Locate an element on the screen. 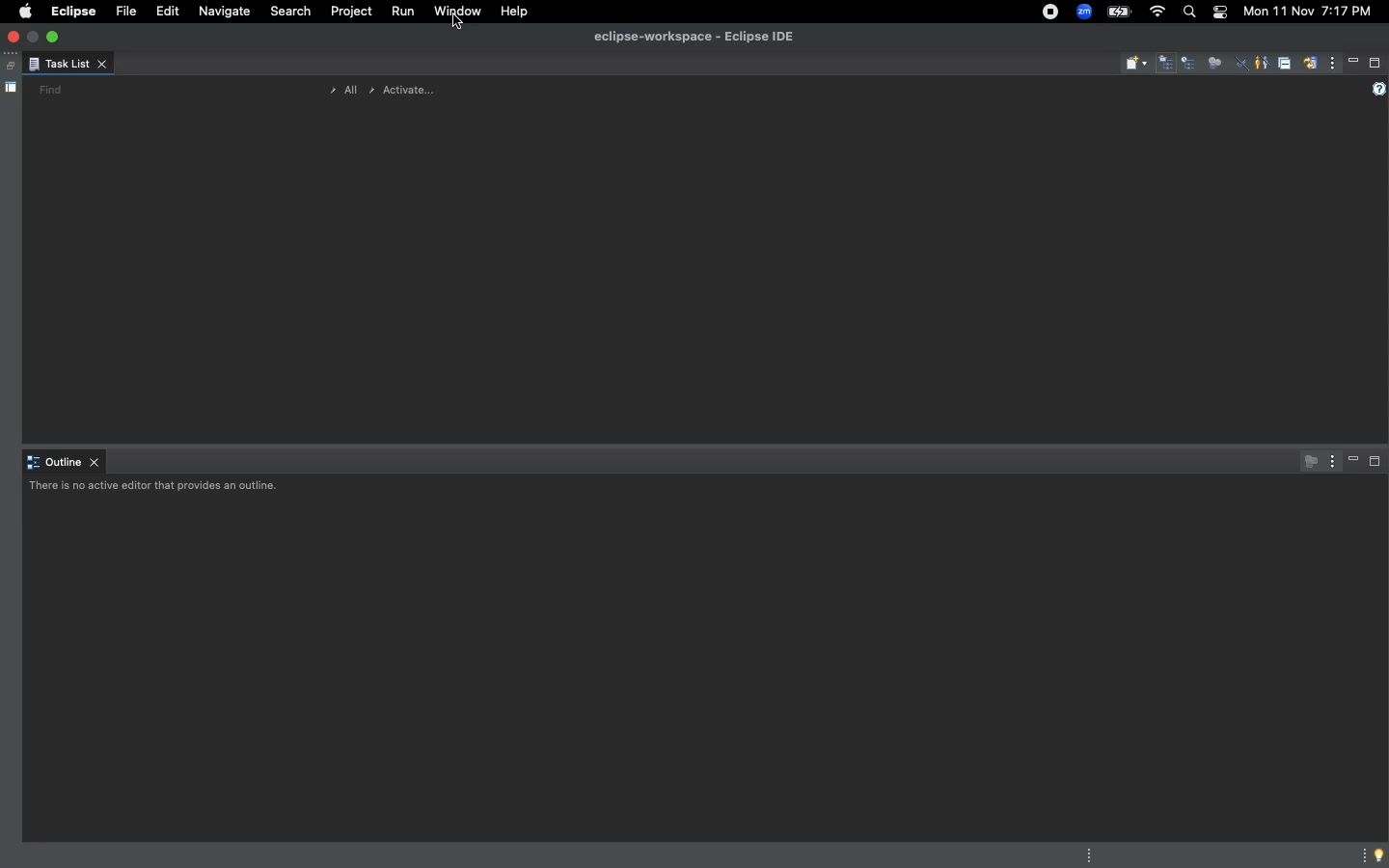 The width and height of the screenshot is (1389, 868). Internet is located at coordinates (1156, 12).